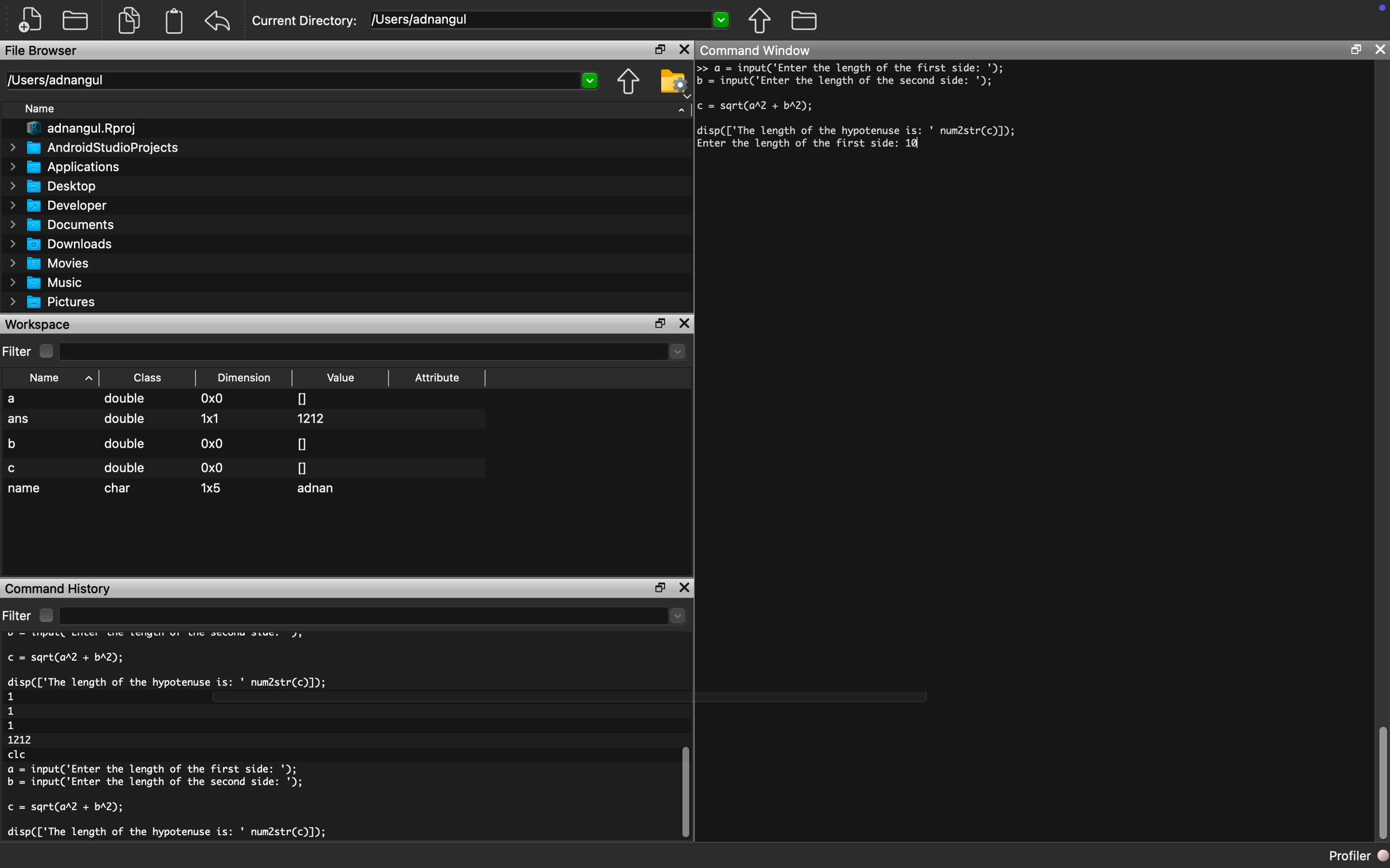  I want to click on Current Directory:, so click(306, 22).